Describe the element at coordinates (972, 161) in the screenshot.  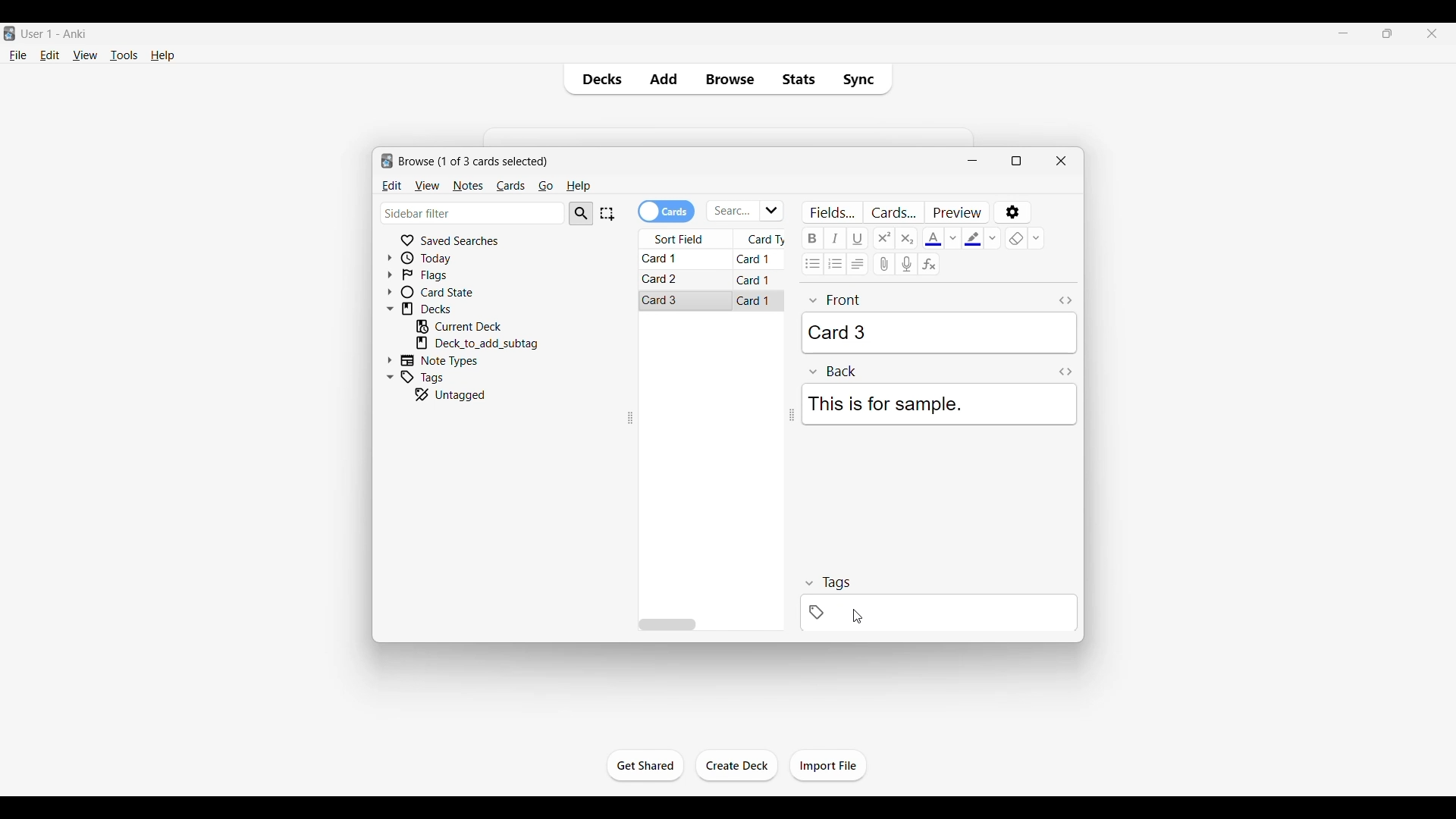
I see `Minimize` at that location.